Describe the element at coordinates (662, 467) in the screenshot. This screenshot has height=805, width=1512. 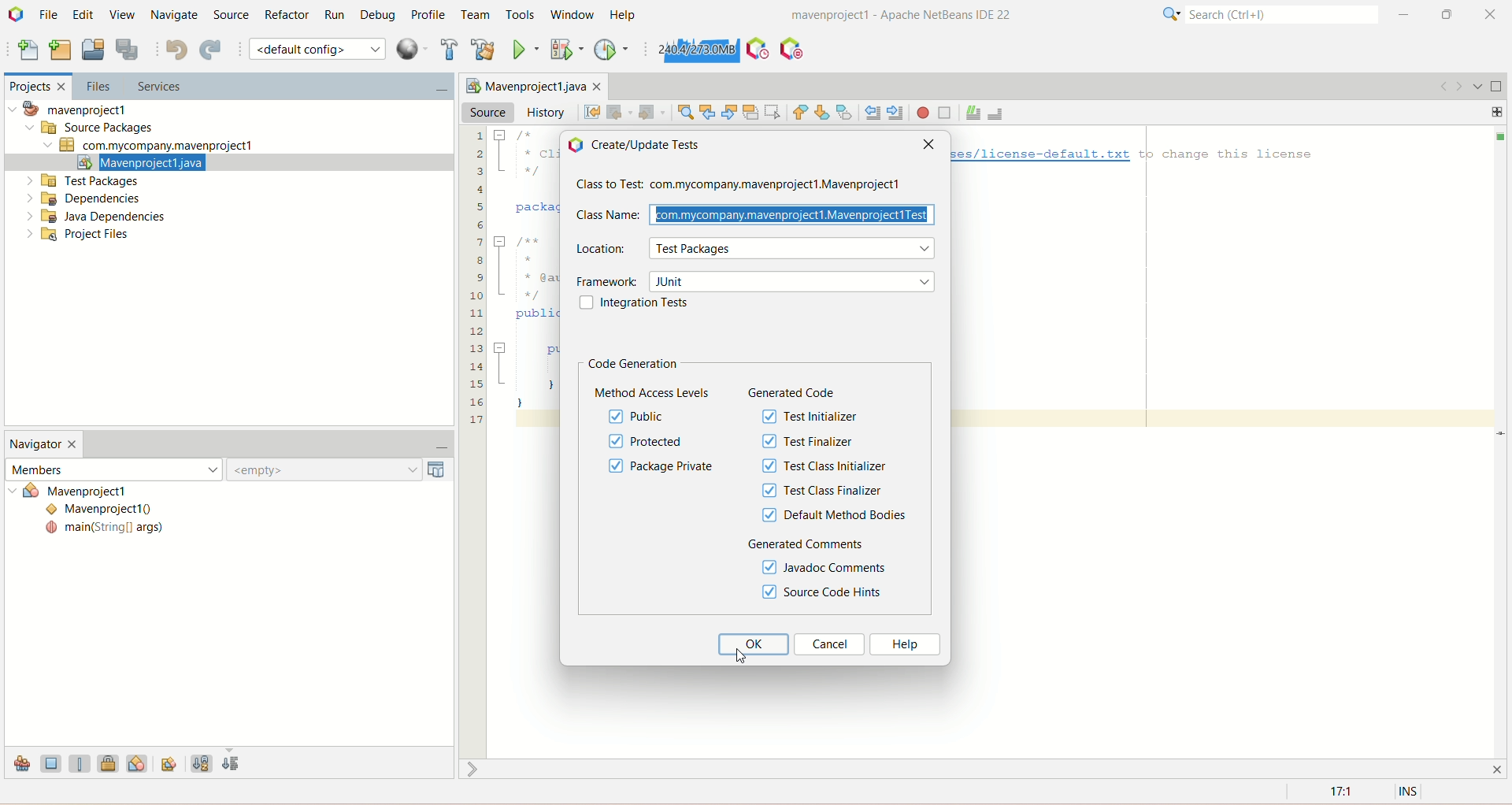
I see `package private` at that location.